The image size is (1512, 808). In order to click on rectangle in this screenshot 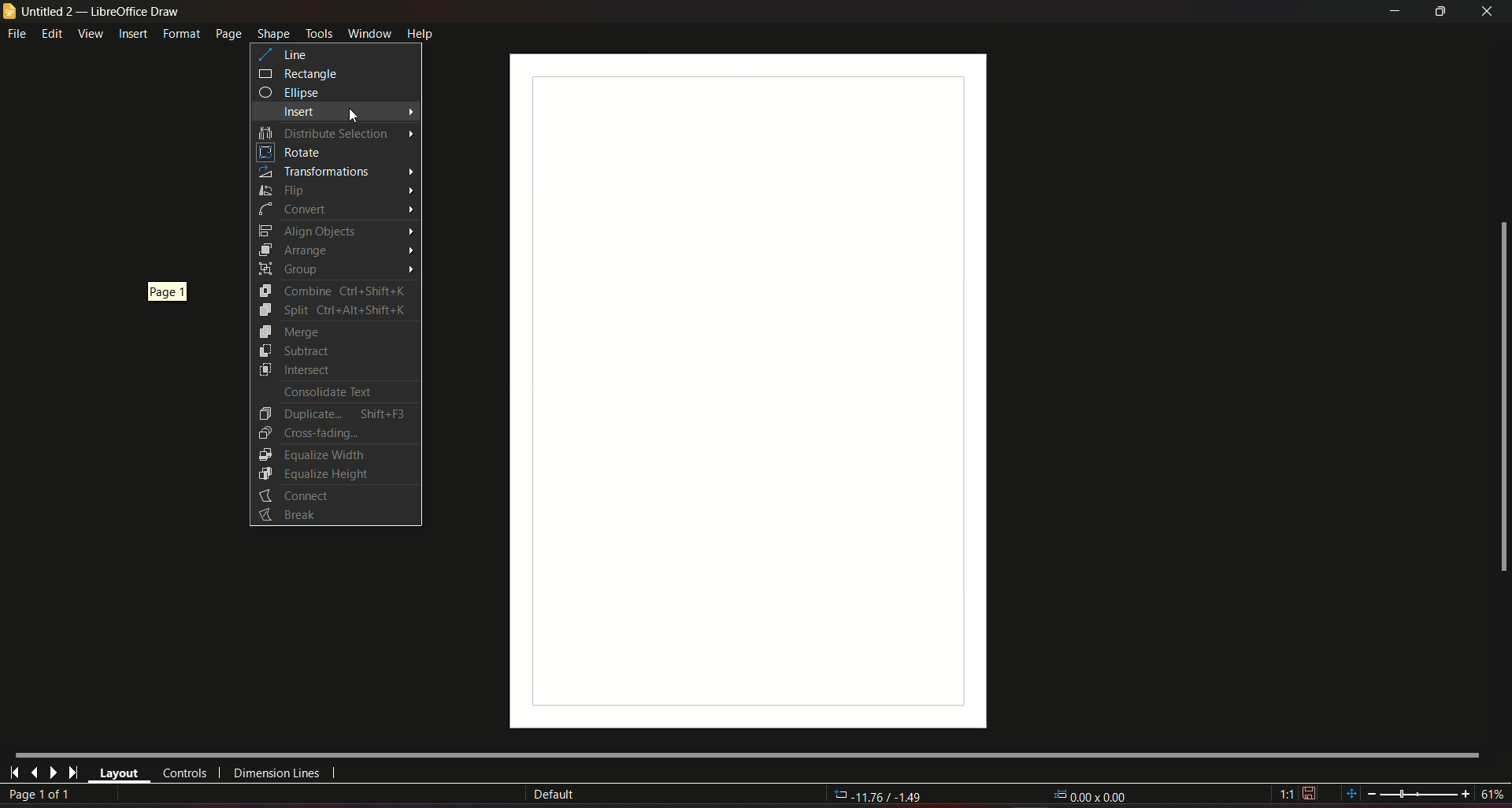, I will do `click(298, 74)`.